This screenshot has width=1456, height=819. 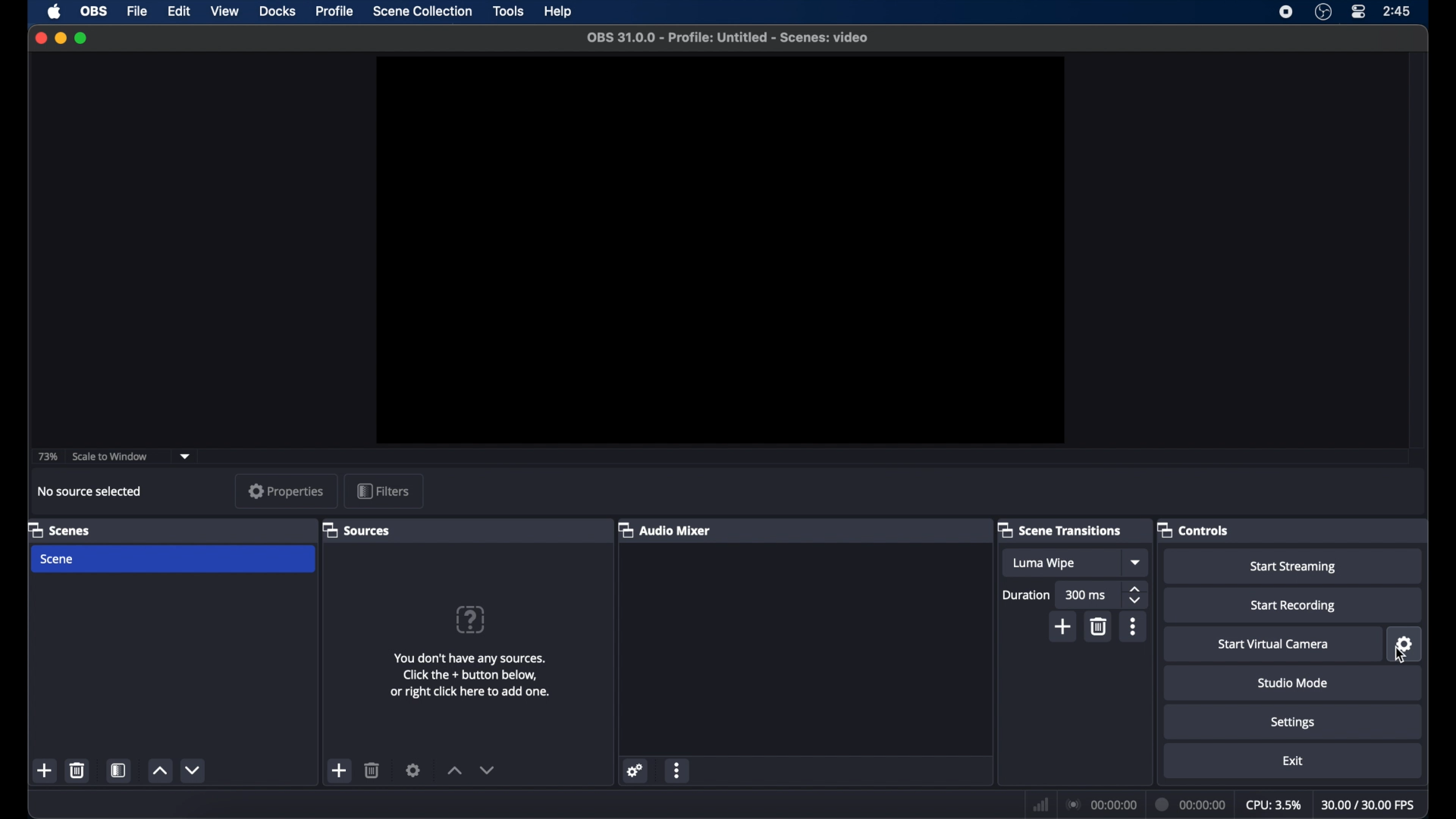 I want to click on scene, so click(x=173, y=560).